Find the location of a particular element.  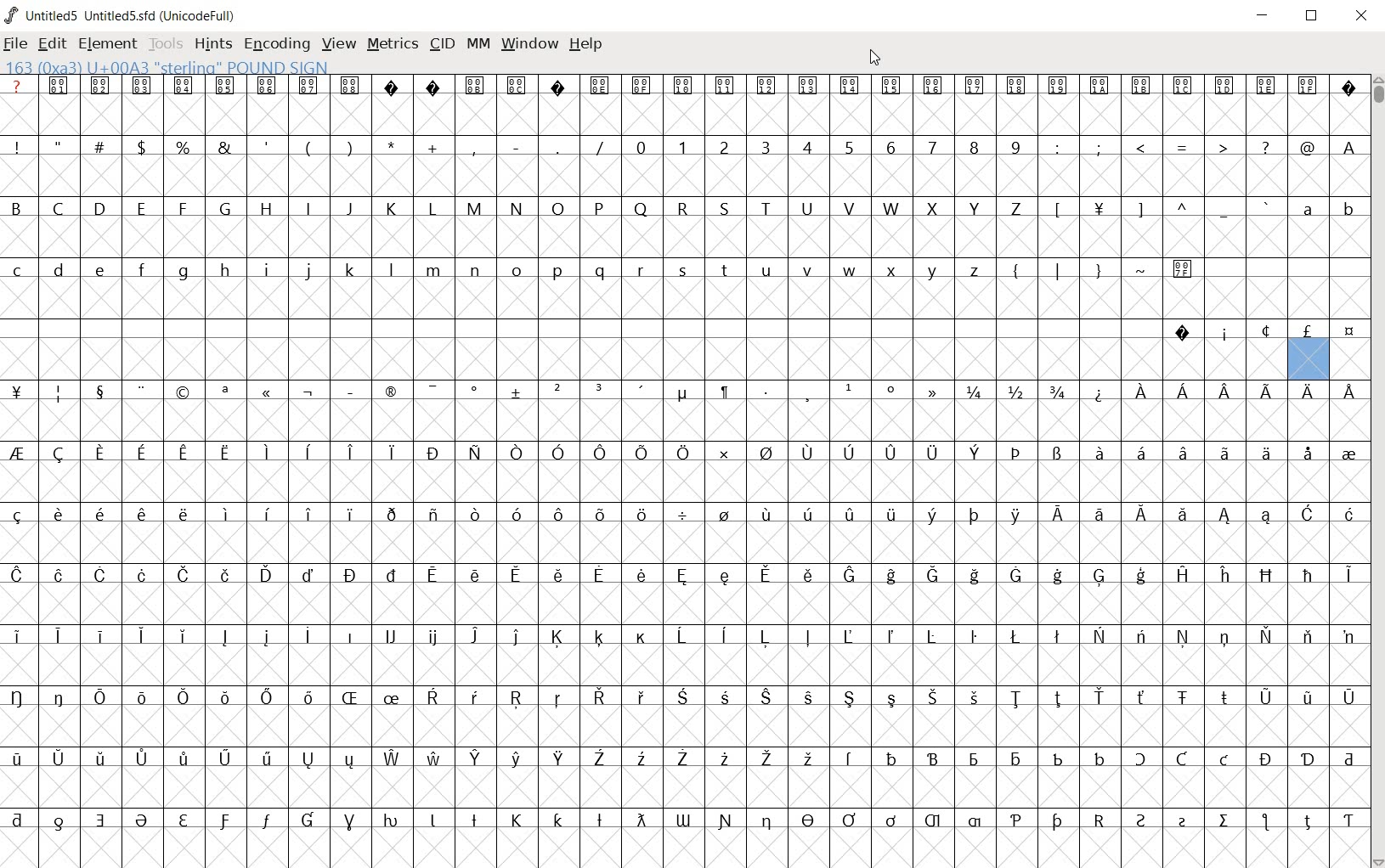

Symbol is located at coordinates (140, 758).